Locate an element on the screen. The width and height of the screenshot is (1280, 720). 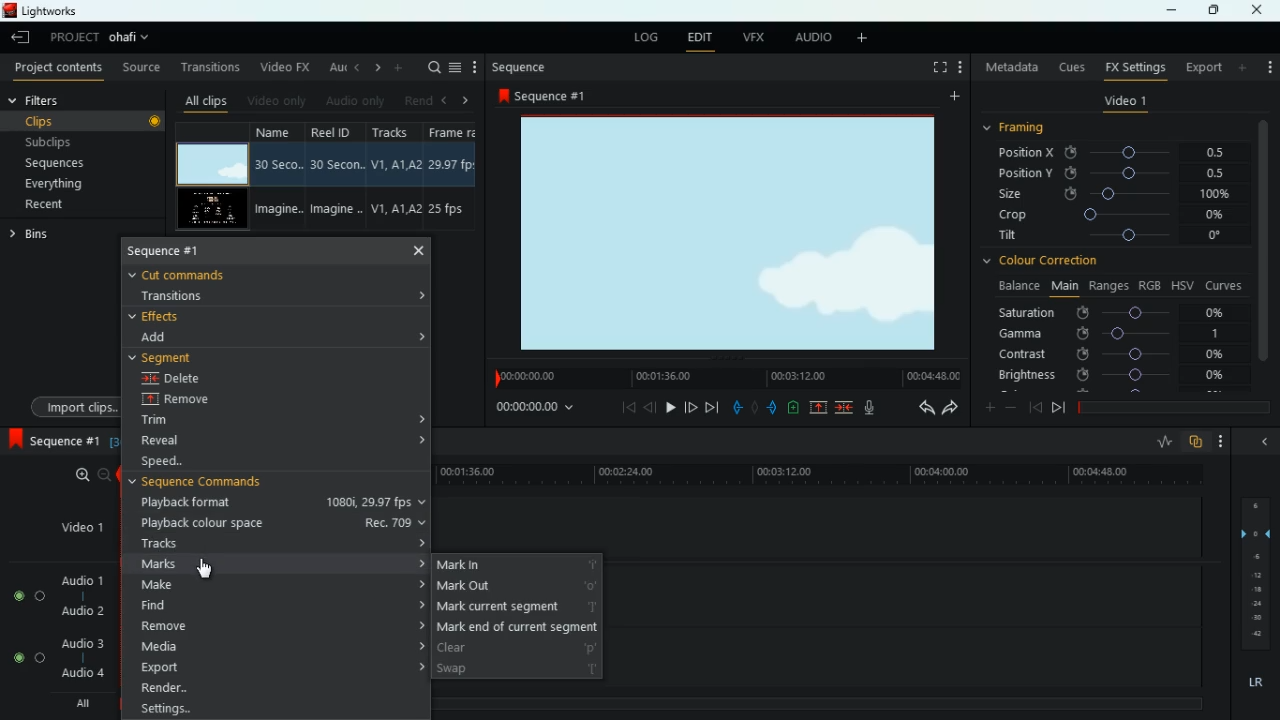
sequence is located at coordinates (522, 68).